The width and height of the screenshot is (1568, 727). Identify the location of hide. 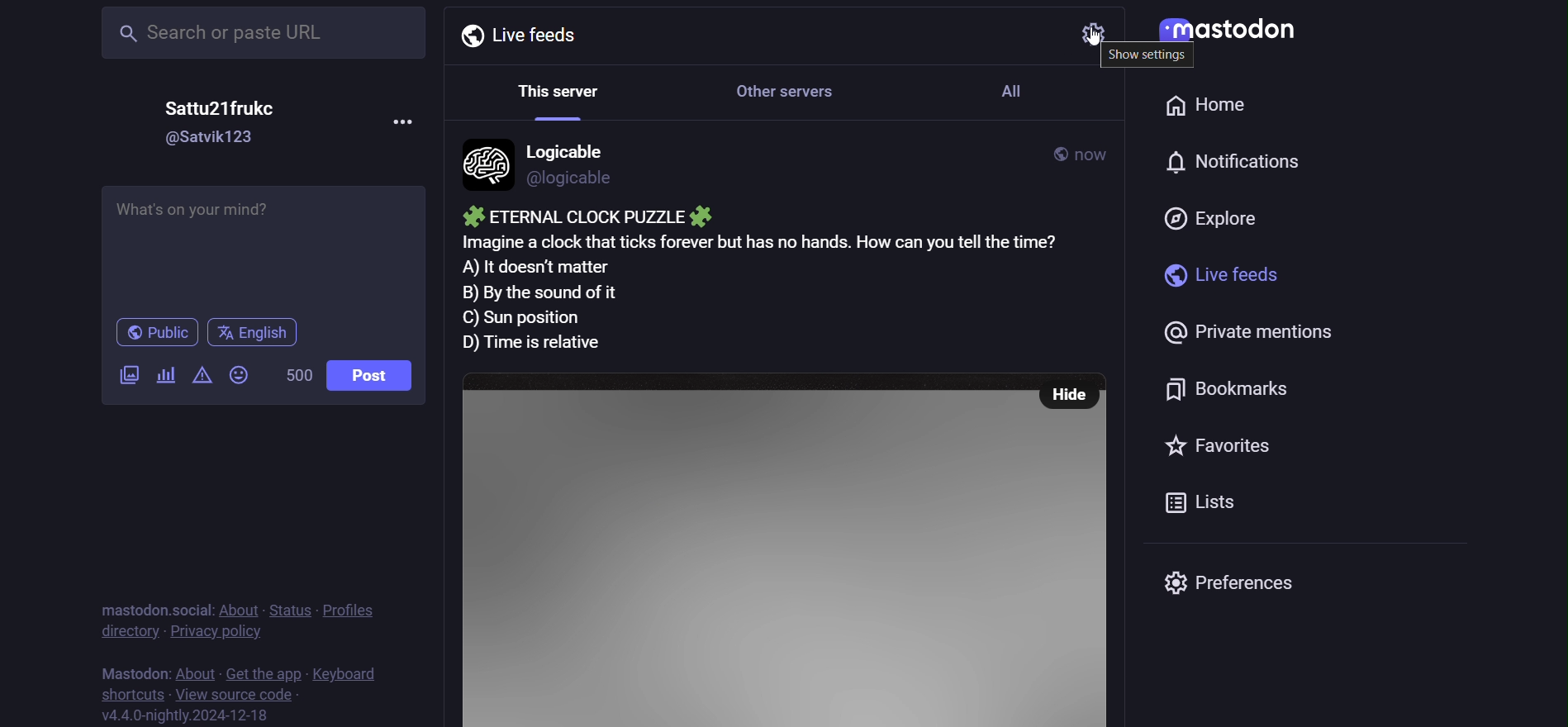
(1068, 395).